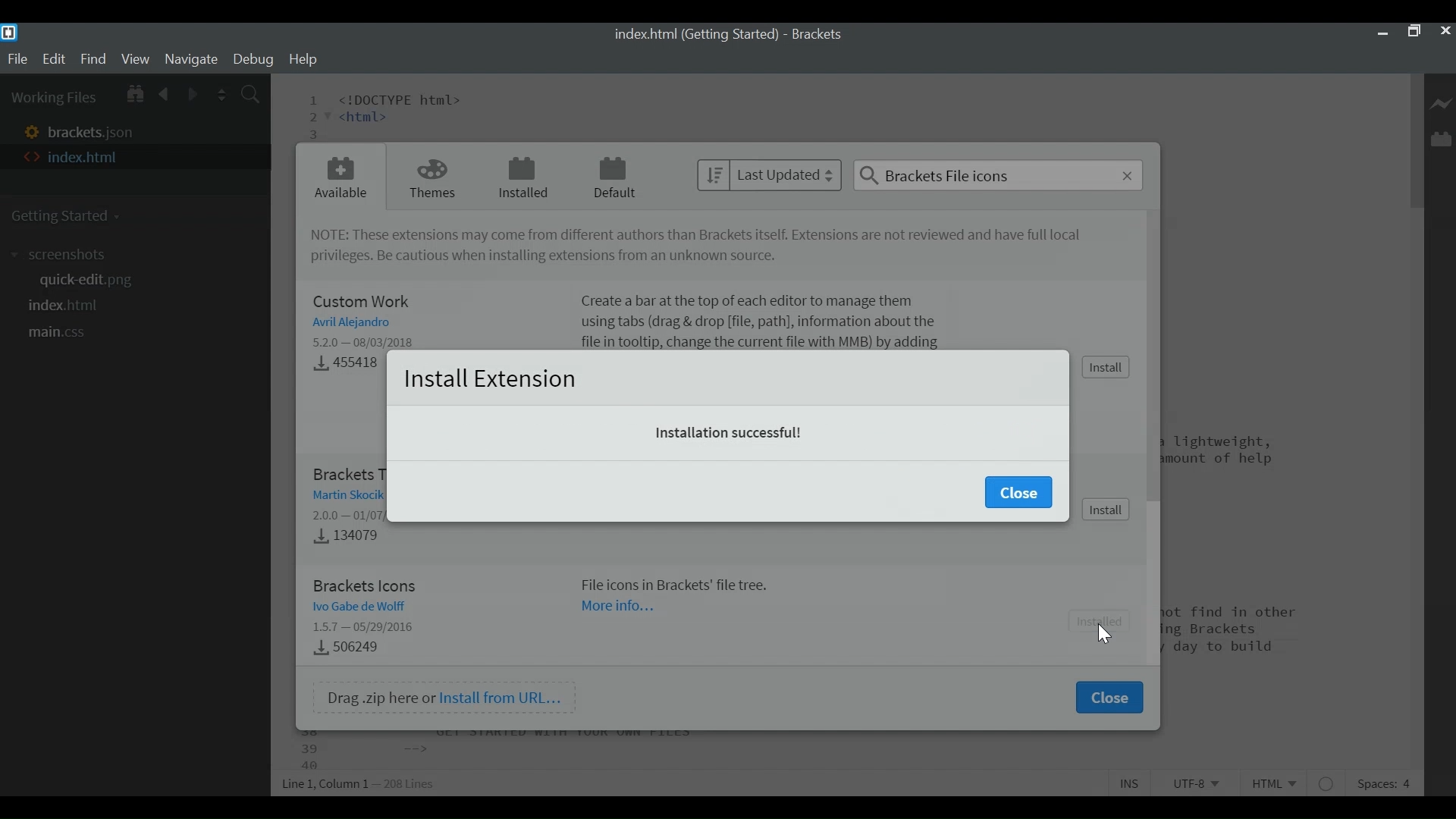 Image resolution: width=1456 pixels, height=819 pixels. What do you see at coordinates (725, 434) in the screenshot?
I see `Installation successful` at bounding box center [725, 434].